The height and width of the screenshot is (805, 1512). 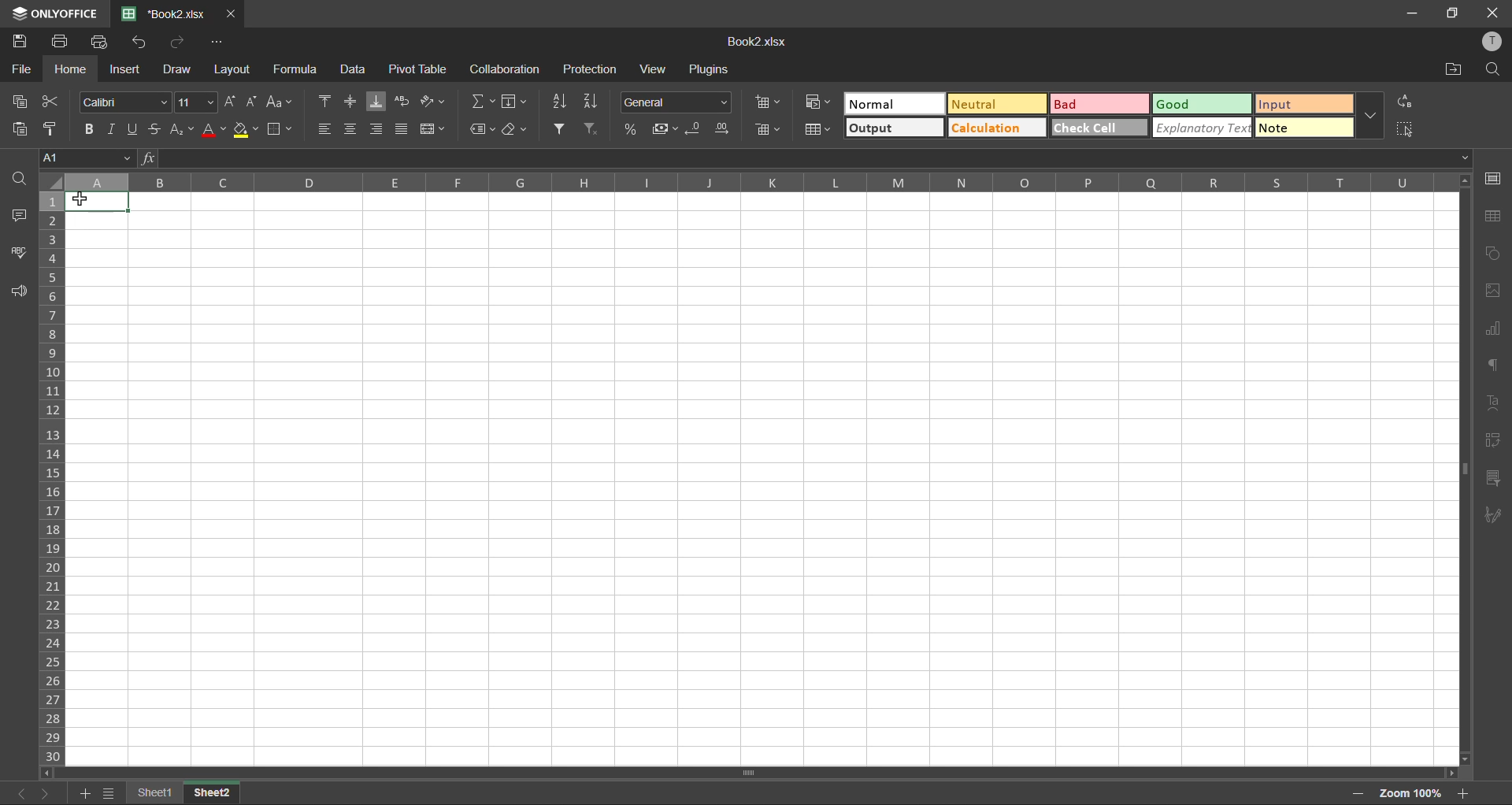 I want to click on strikethrough, so click(x=154, y=128).